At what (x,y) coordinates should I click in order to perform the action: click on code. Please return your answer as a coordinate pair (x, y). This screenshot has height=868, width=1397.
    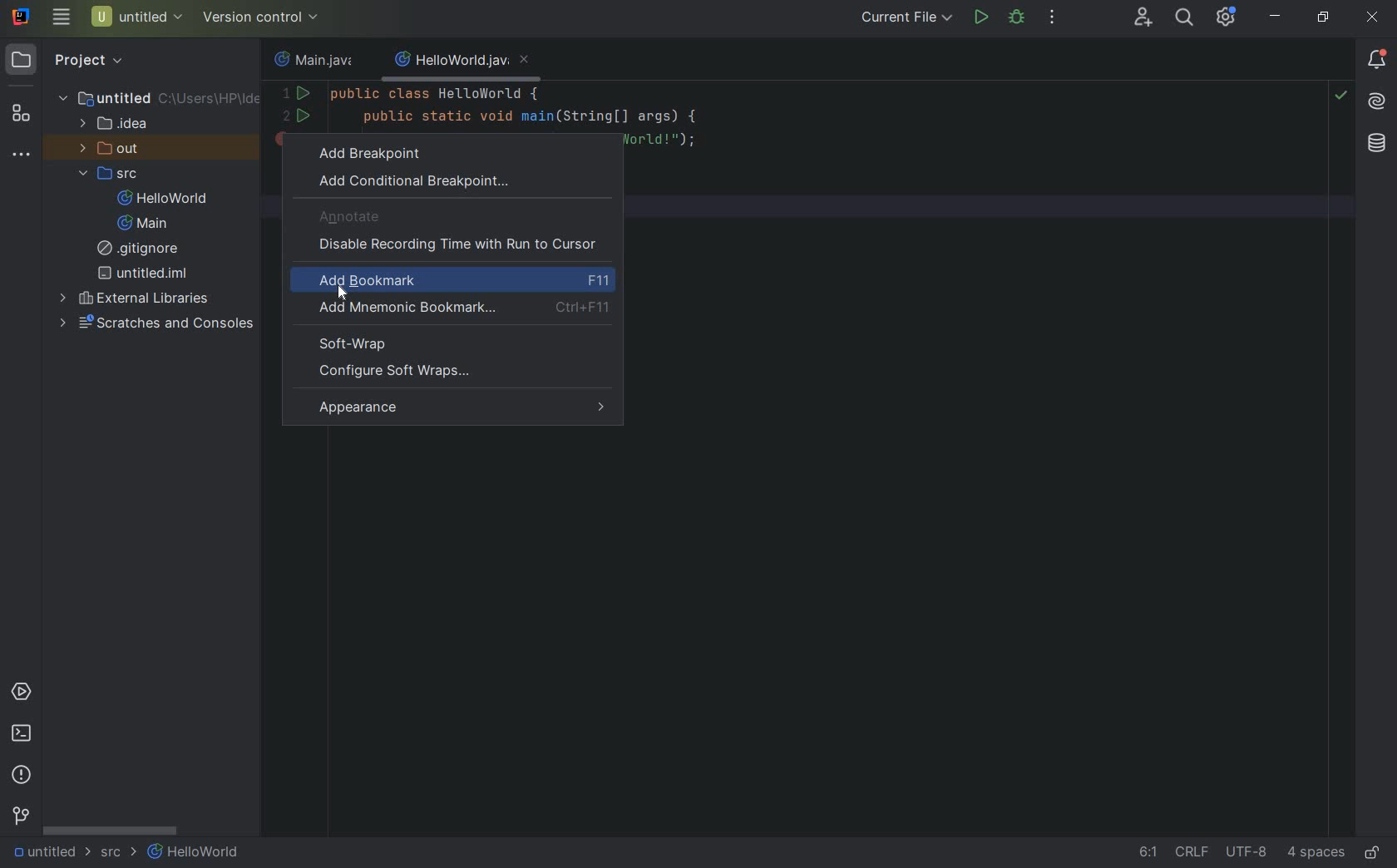
    Looking at the image, I should click on (498, 104).